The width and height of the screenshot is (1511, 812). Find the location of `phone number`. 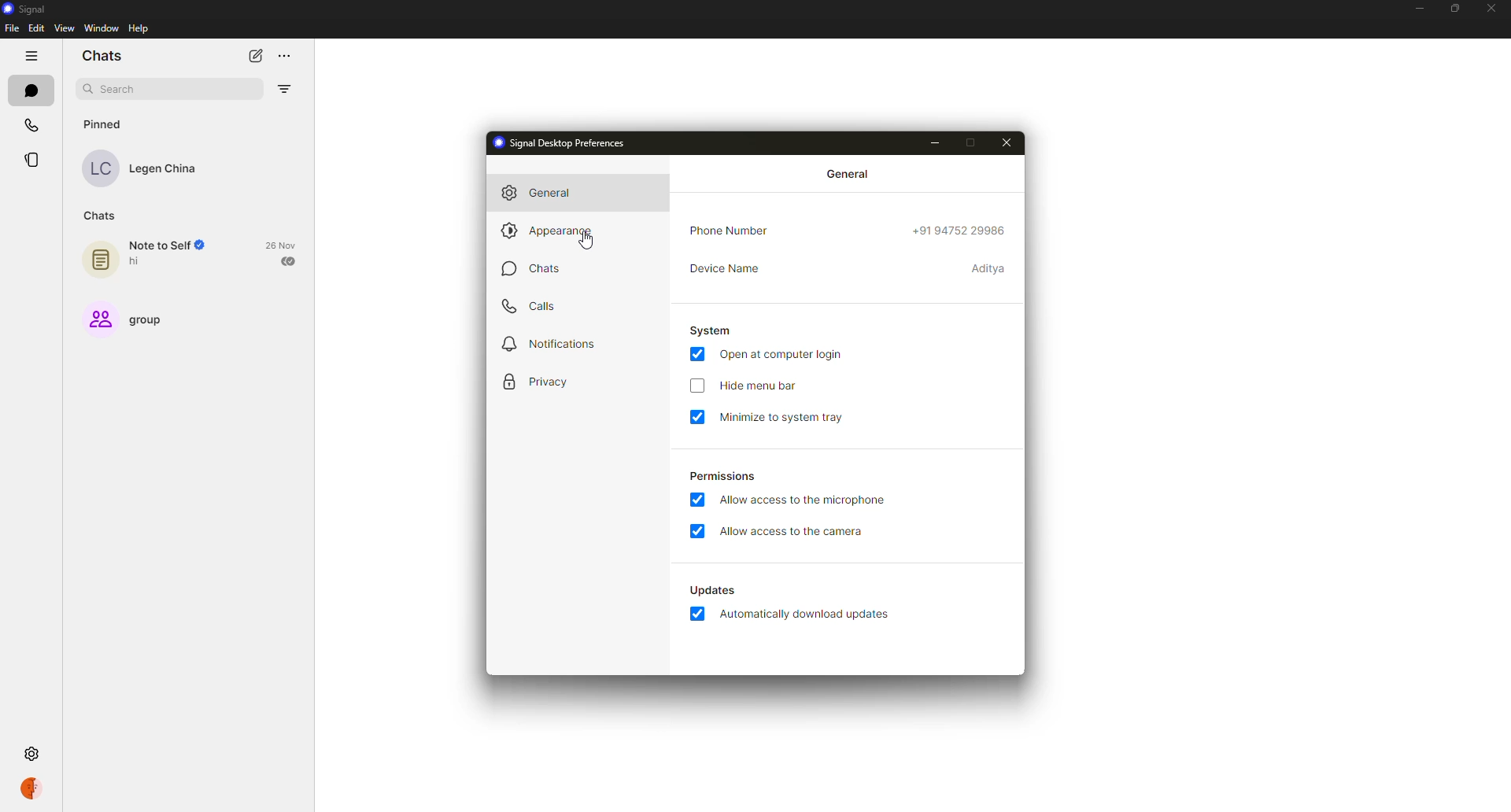

phone number is located at coordinates (961, 230).